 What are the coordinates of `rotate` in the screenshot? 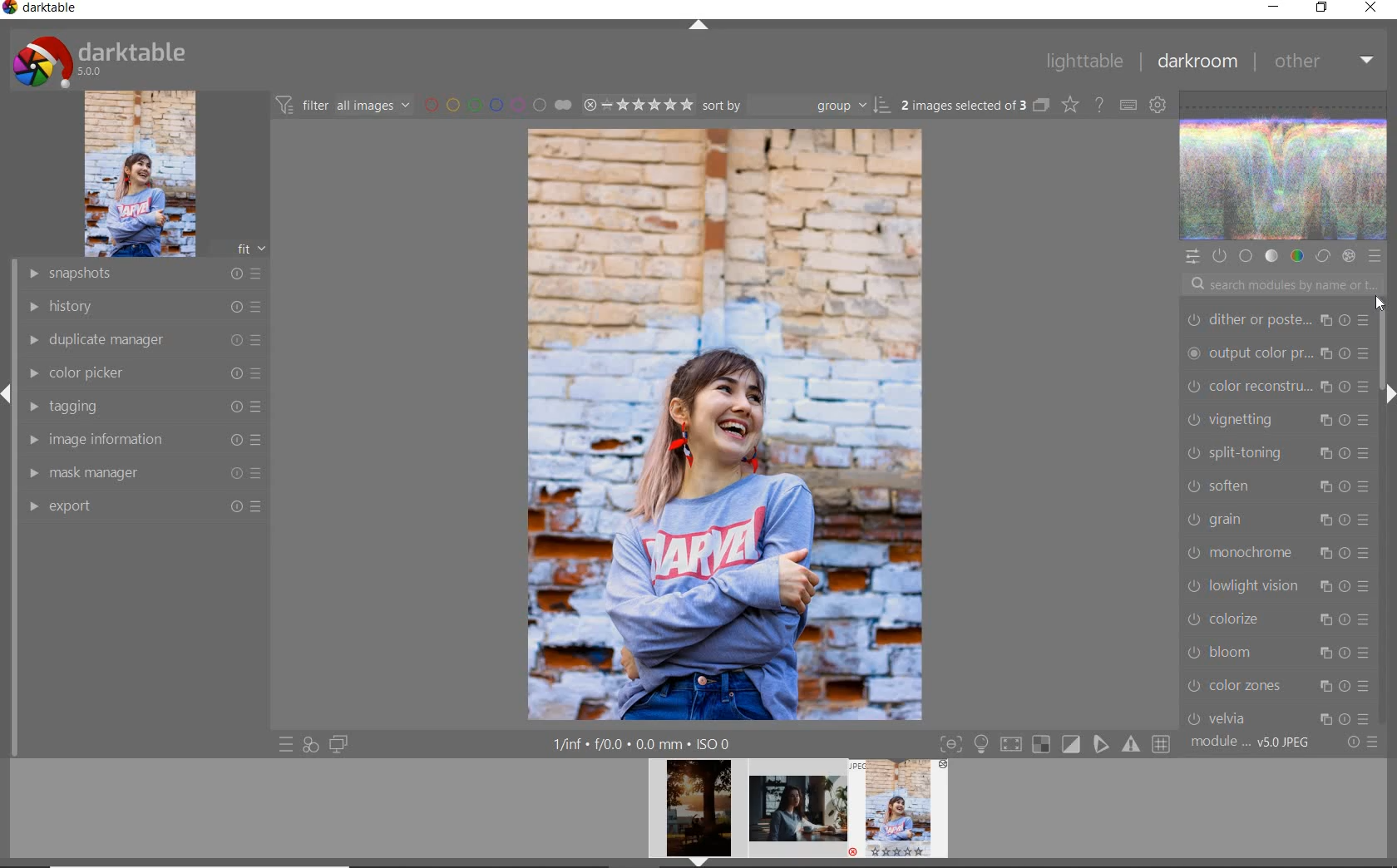 It's located at (1281, 619).